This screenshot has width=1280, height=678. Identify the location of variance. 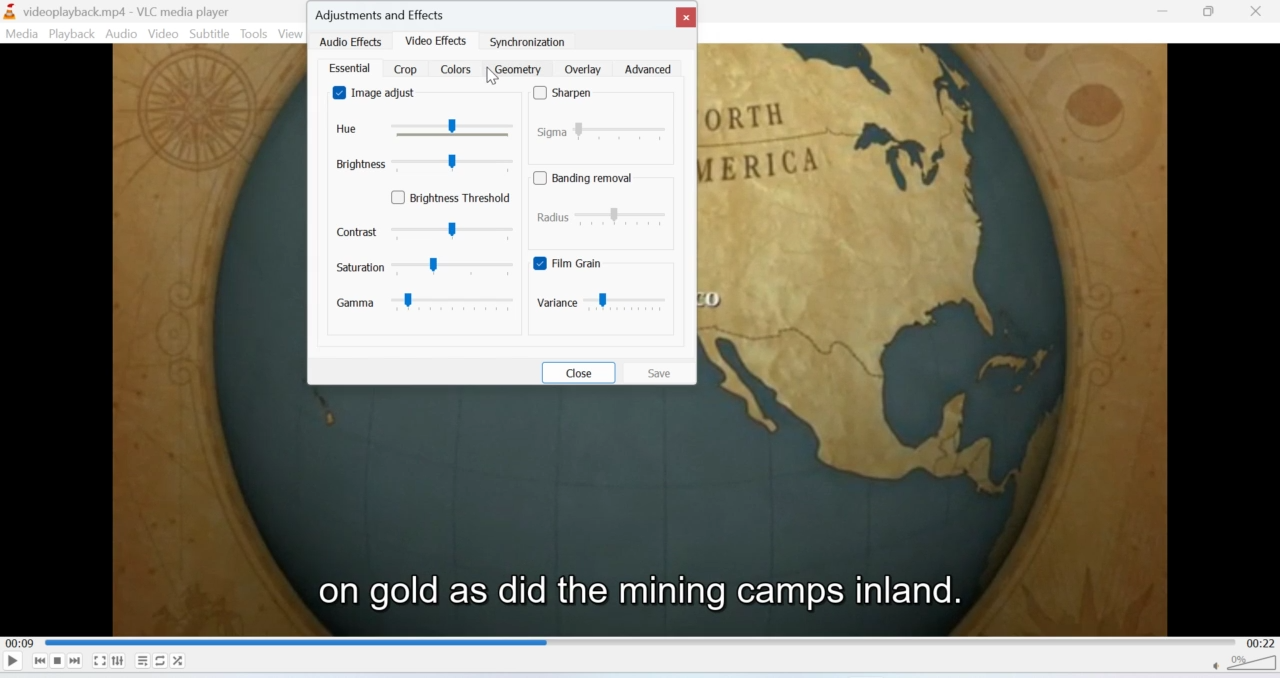
(603, 302).